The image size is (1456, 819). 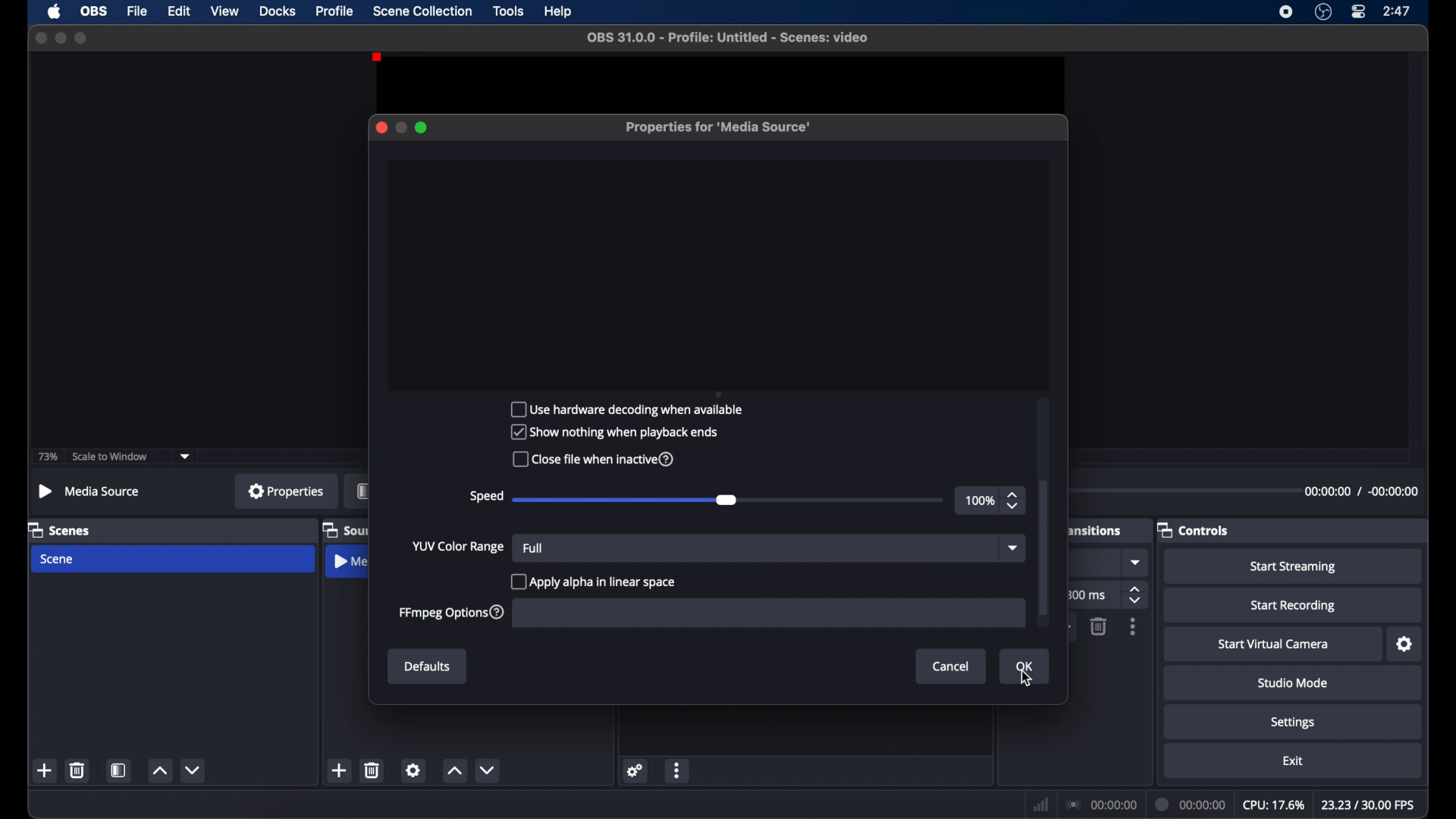 I want to click on file, so click(x=138, y=11).